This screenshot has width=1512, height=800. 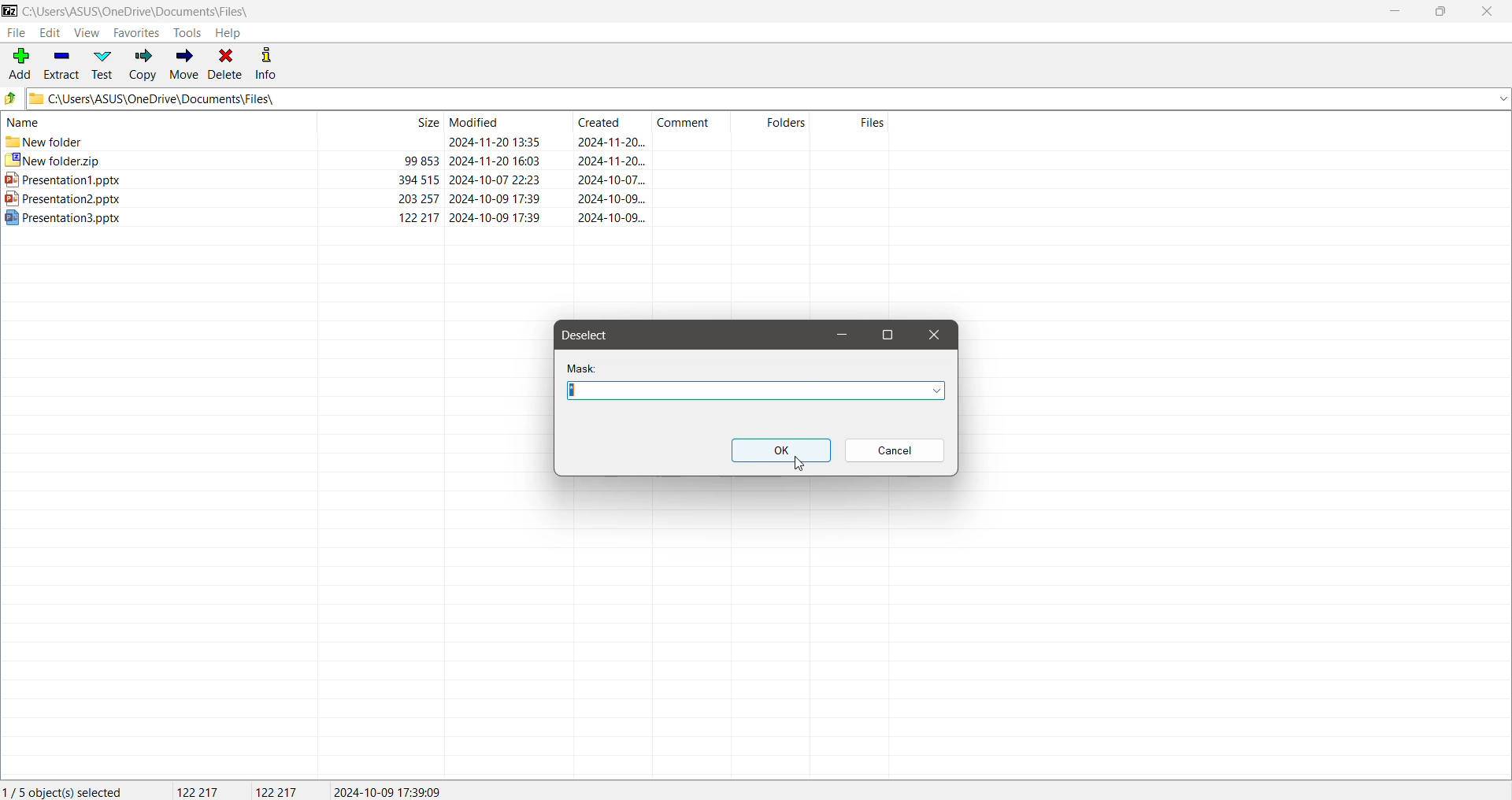 I want to click on Files Modified Date, so click(x=502, y=122).